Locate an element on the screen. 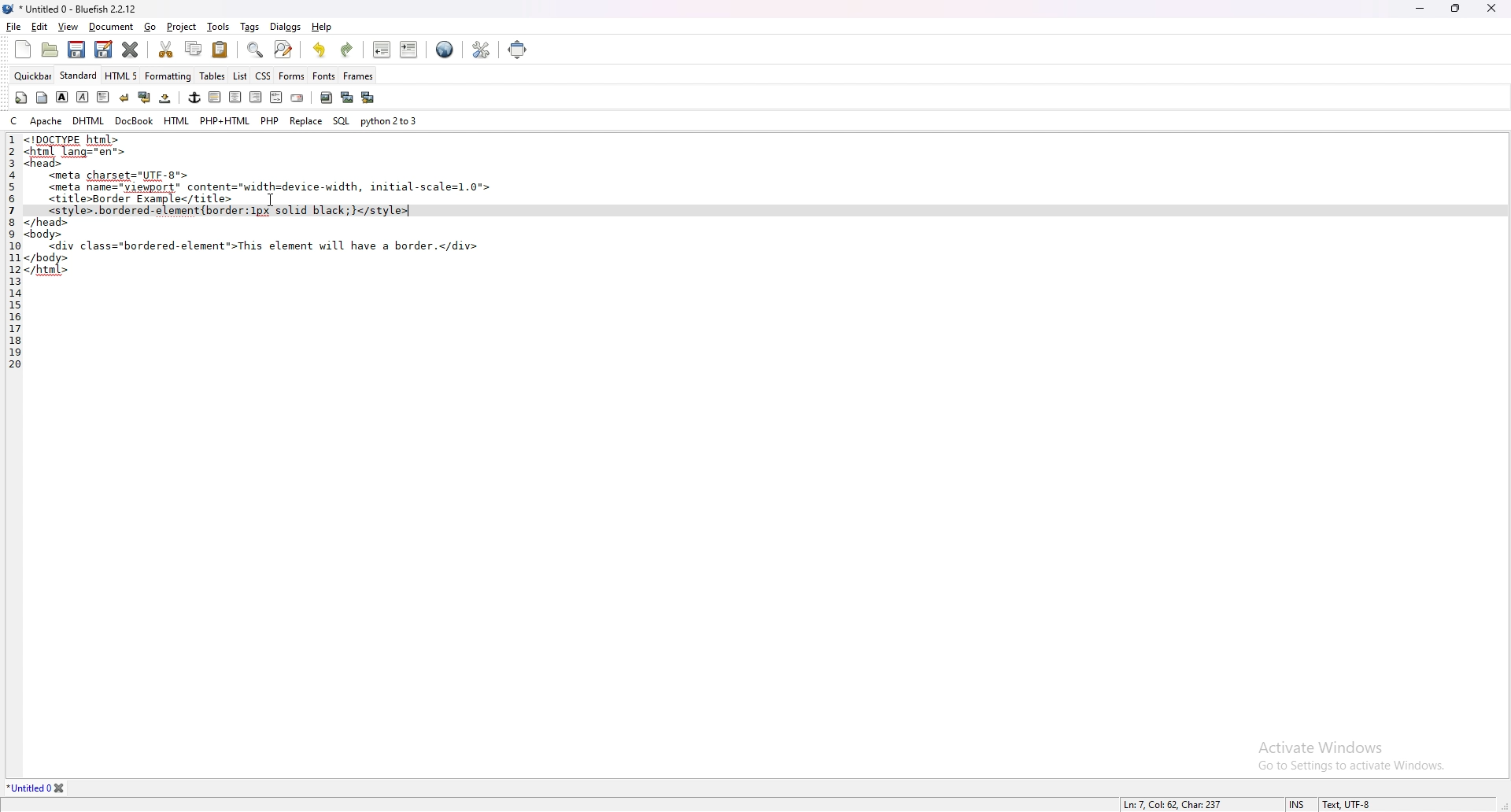 The height and width of the screenshot is (812, 1511). italic is located at coordinates (82, 97).